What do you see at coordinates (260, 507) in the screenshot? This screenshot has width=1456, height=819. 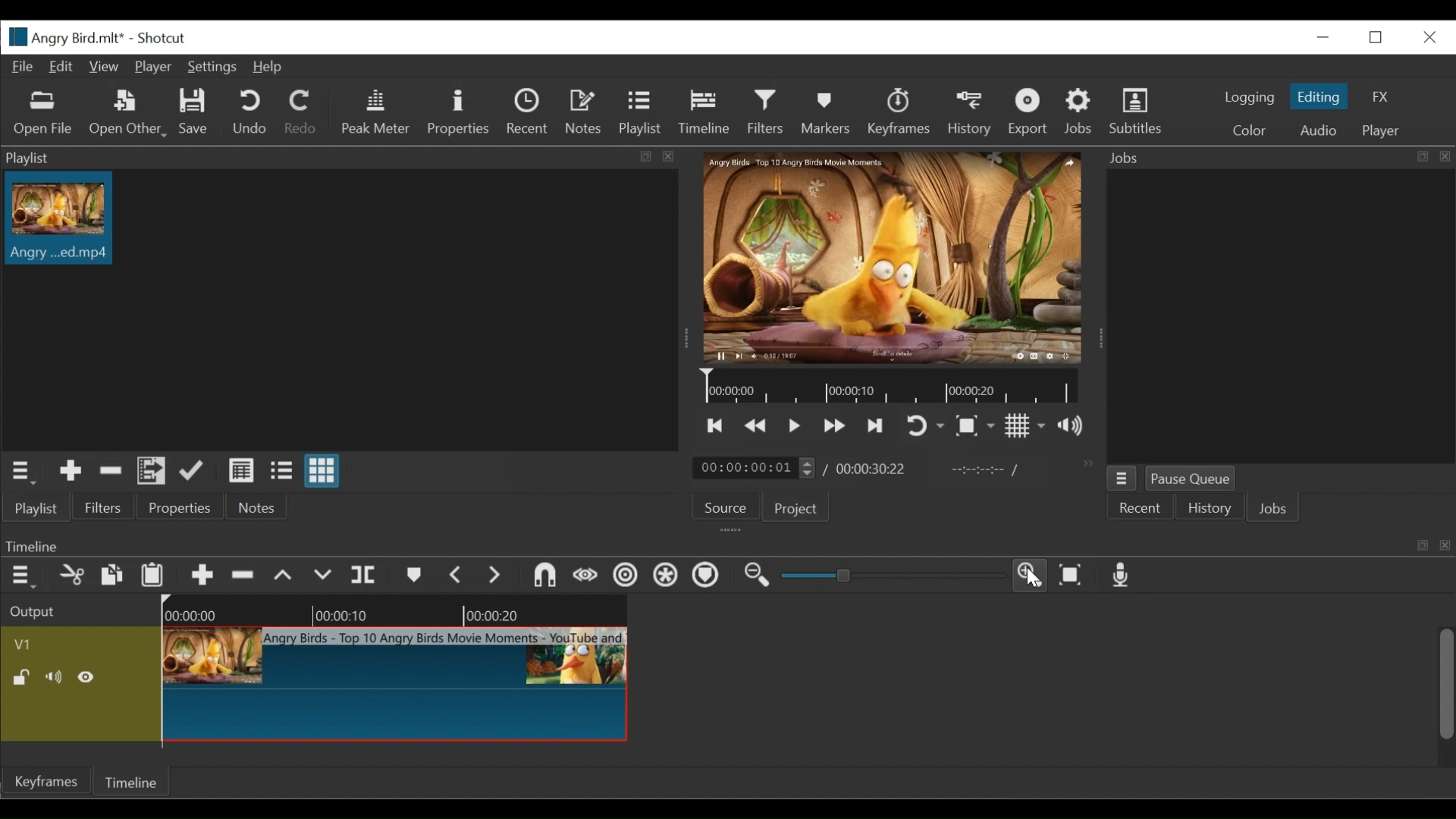 I see `Notes` at bounding box center [260, 507].